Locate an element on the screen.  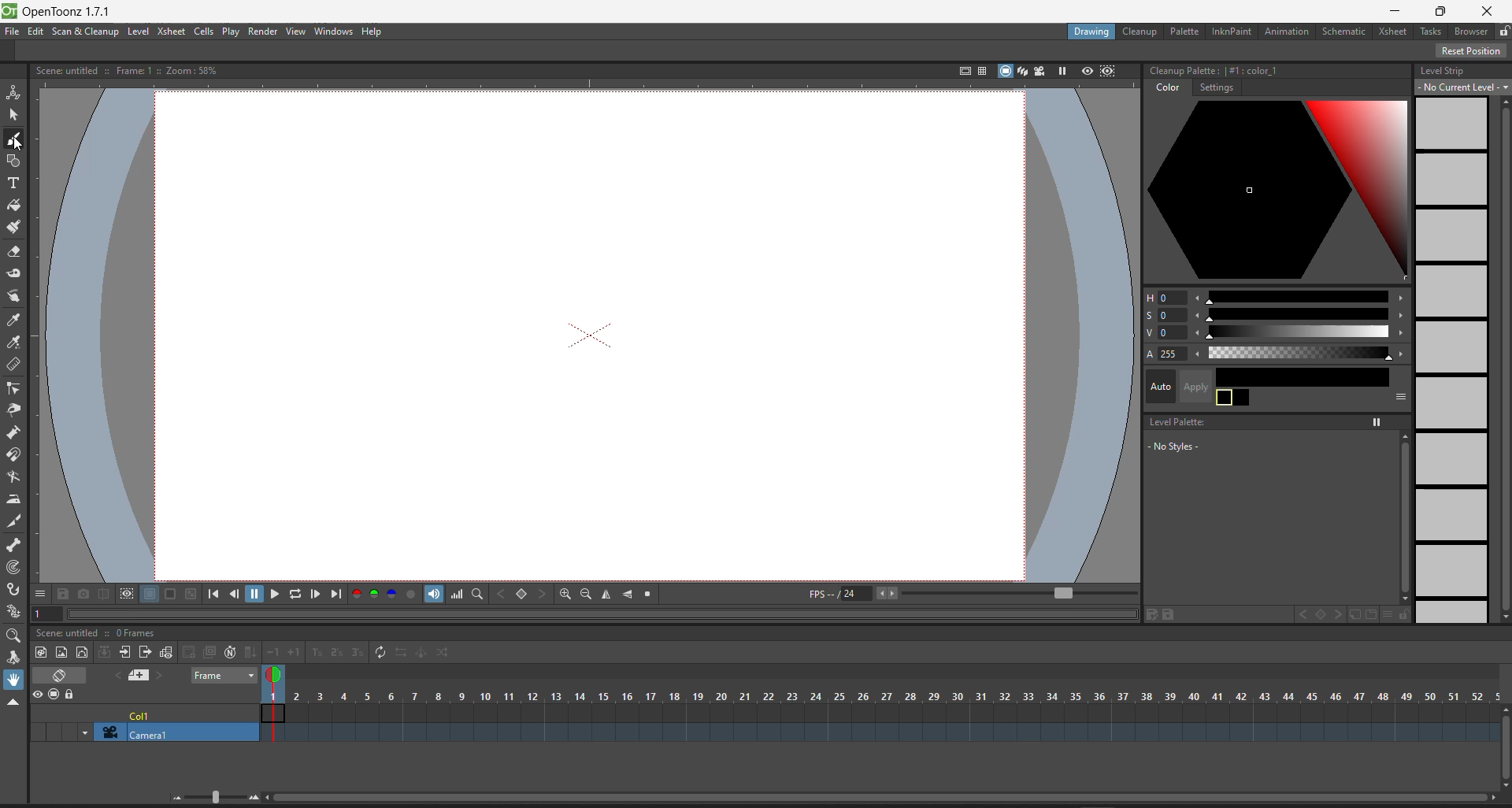
flip vertically is located at coordinates (628, 595).